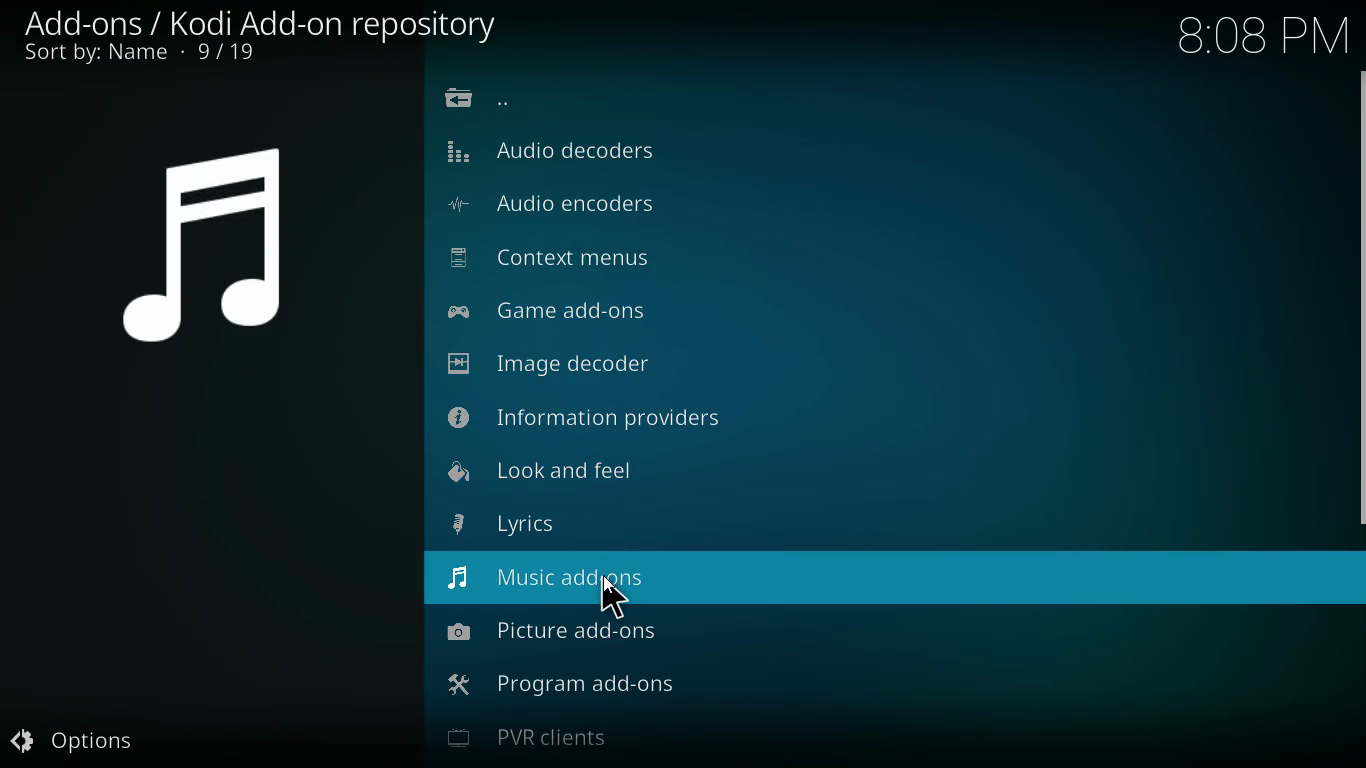  I want to click on Audio Decoders, so click(557, 150).